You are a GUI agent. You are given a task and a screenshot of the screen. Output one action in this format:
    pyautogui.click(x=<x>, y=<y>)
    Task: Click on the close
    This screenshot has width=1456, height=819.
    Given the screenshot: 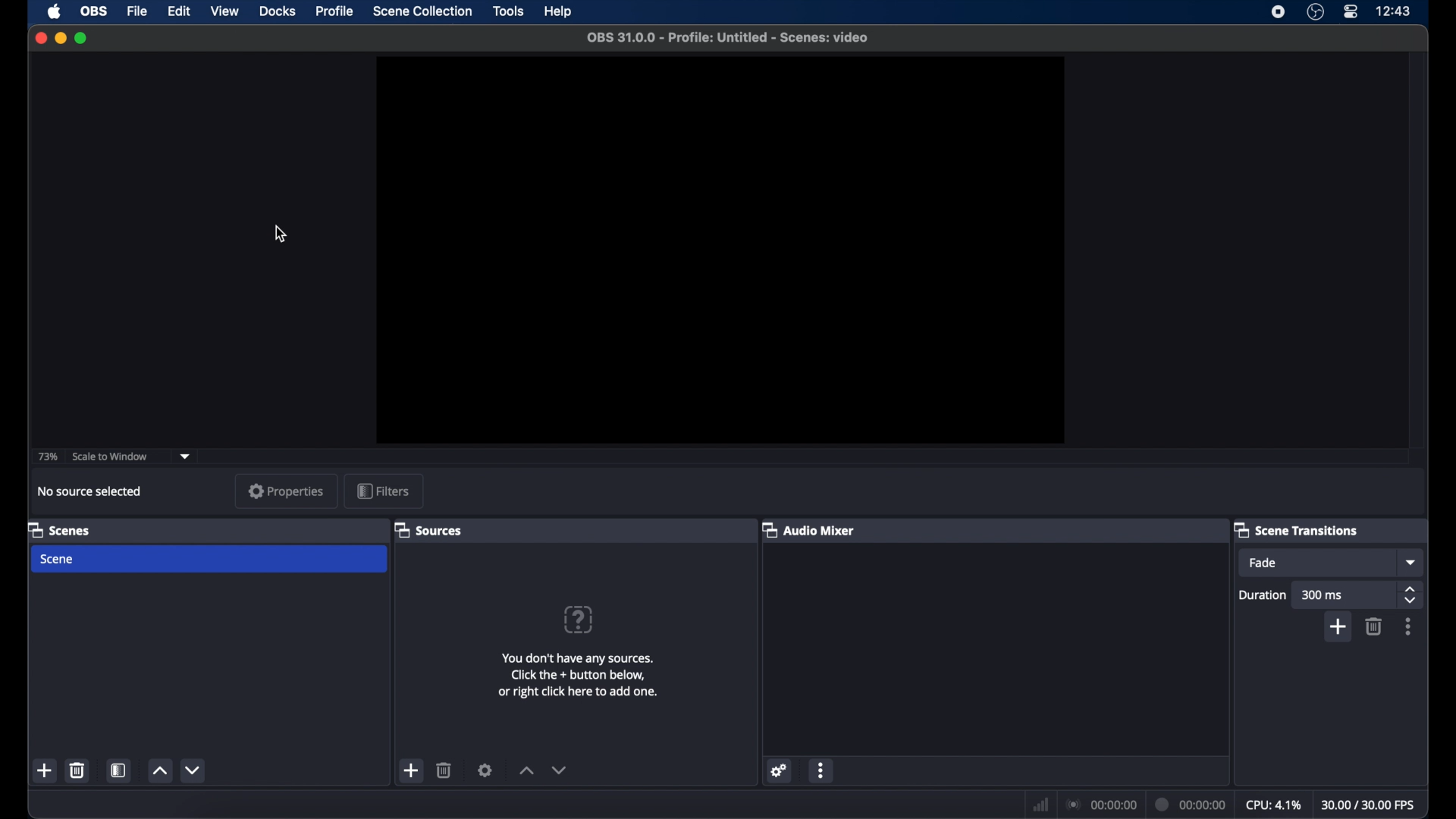 What is the action you would take?
    pyautogui.click(x=40, y=38)
    